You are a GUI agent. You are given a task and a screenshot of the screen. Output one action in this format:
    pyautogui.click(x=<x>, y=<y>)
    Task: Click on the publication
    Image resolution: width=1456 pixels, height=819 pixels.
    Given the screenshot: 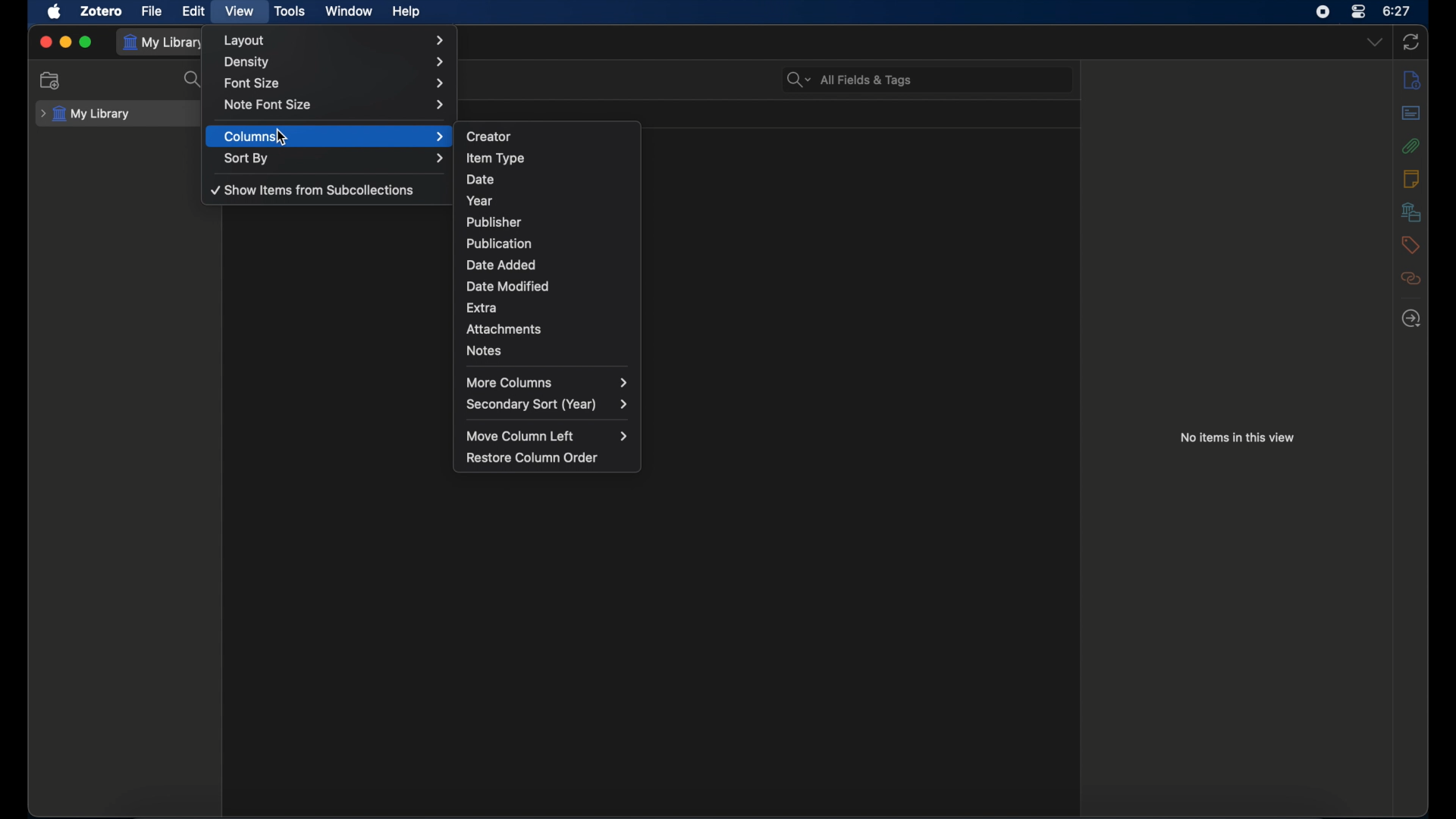 What is the action you would take?
    pyautogui.click(x=499, y=243)
    